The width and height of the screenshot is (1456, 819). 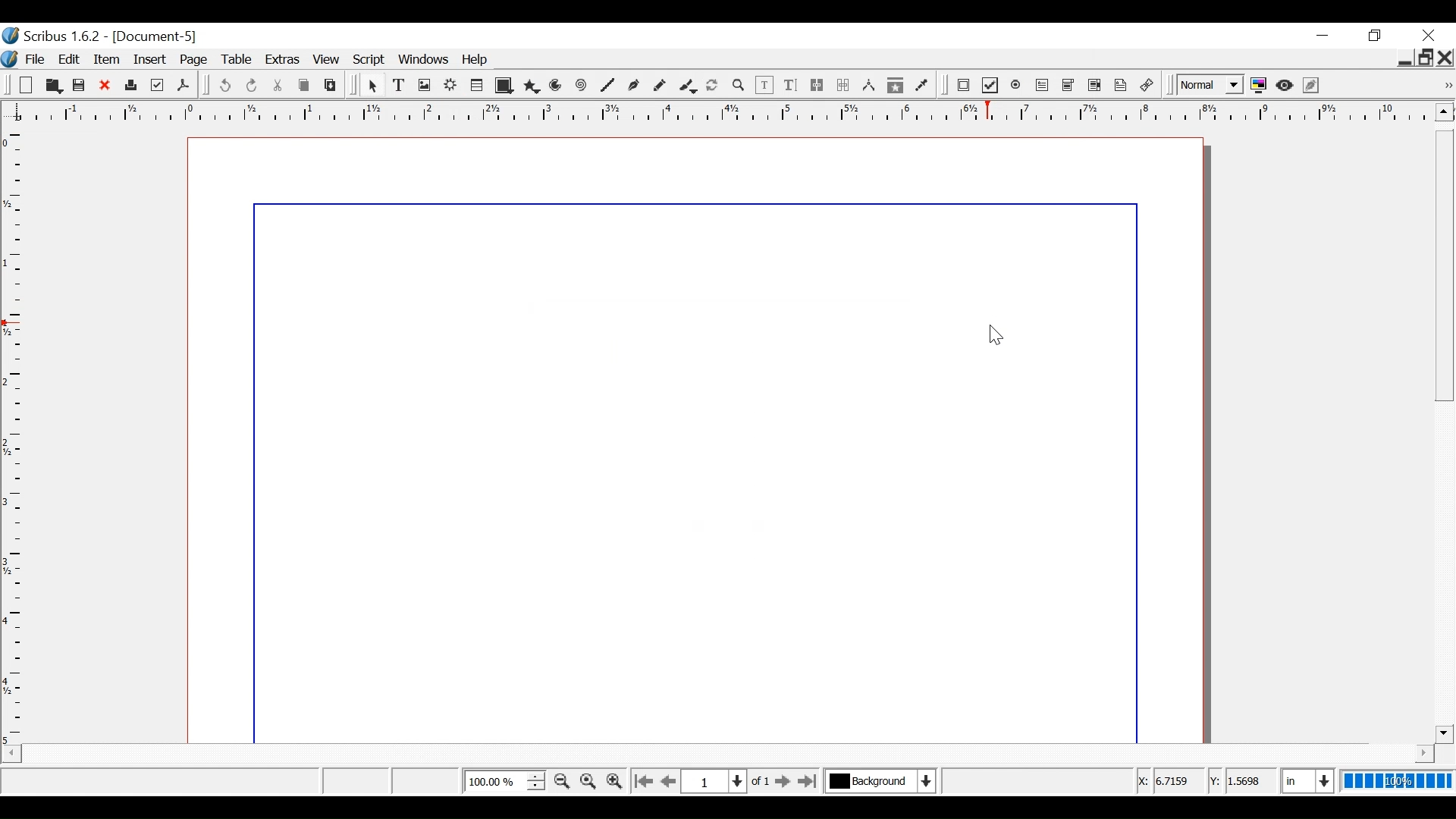 What do you see at coordinates (922, 87) in the screenshot?
I see `Eye Dropper` at bounding box center [922, 87].